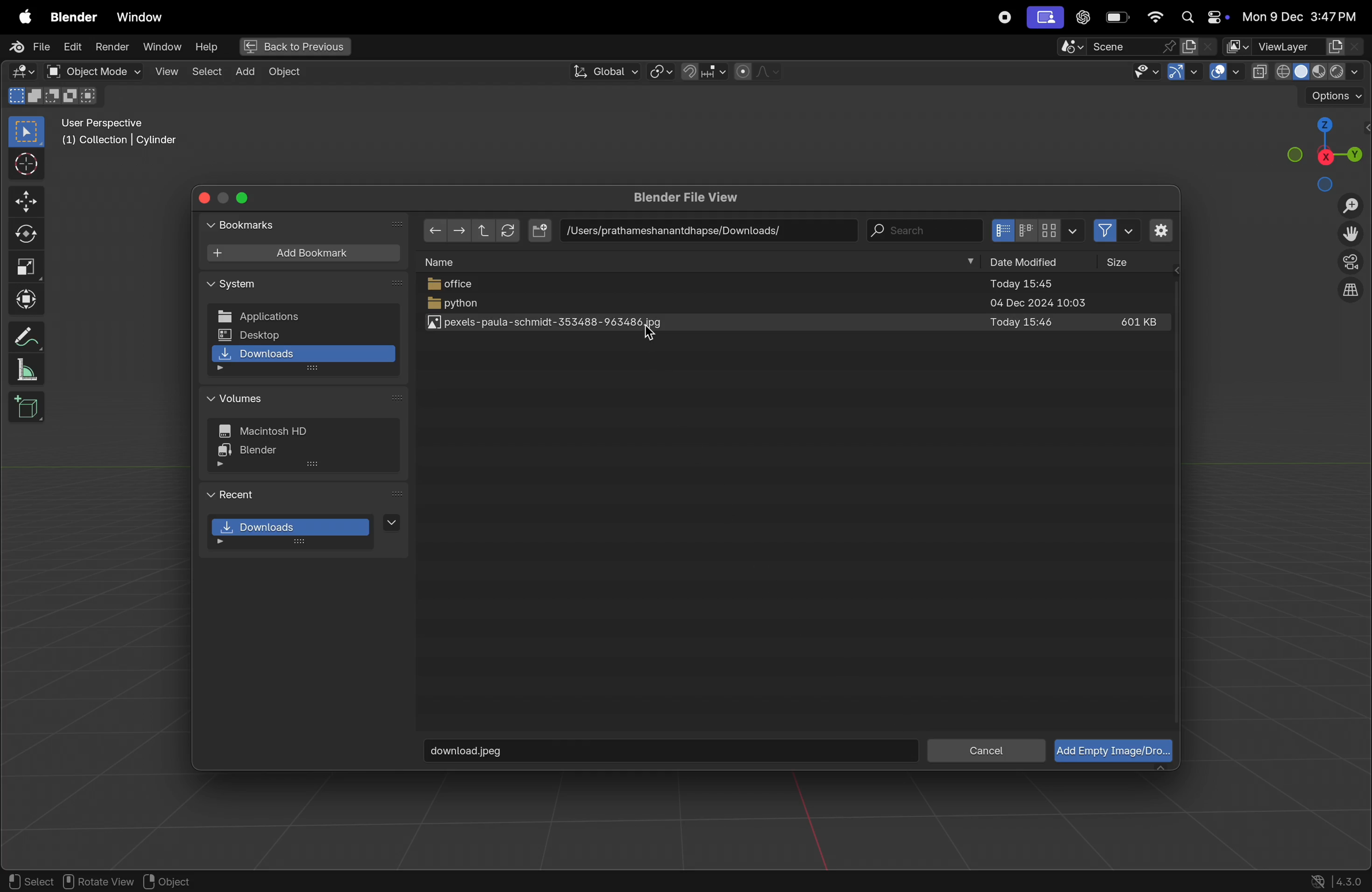 The height and width of the screenshot is (892, 1372). Describe the element at coordinates (1118, 17) in the screenshot. I see `battery` at that location.